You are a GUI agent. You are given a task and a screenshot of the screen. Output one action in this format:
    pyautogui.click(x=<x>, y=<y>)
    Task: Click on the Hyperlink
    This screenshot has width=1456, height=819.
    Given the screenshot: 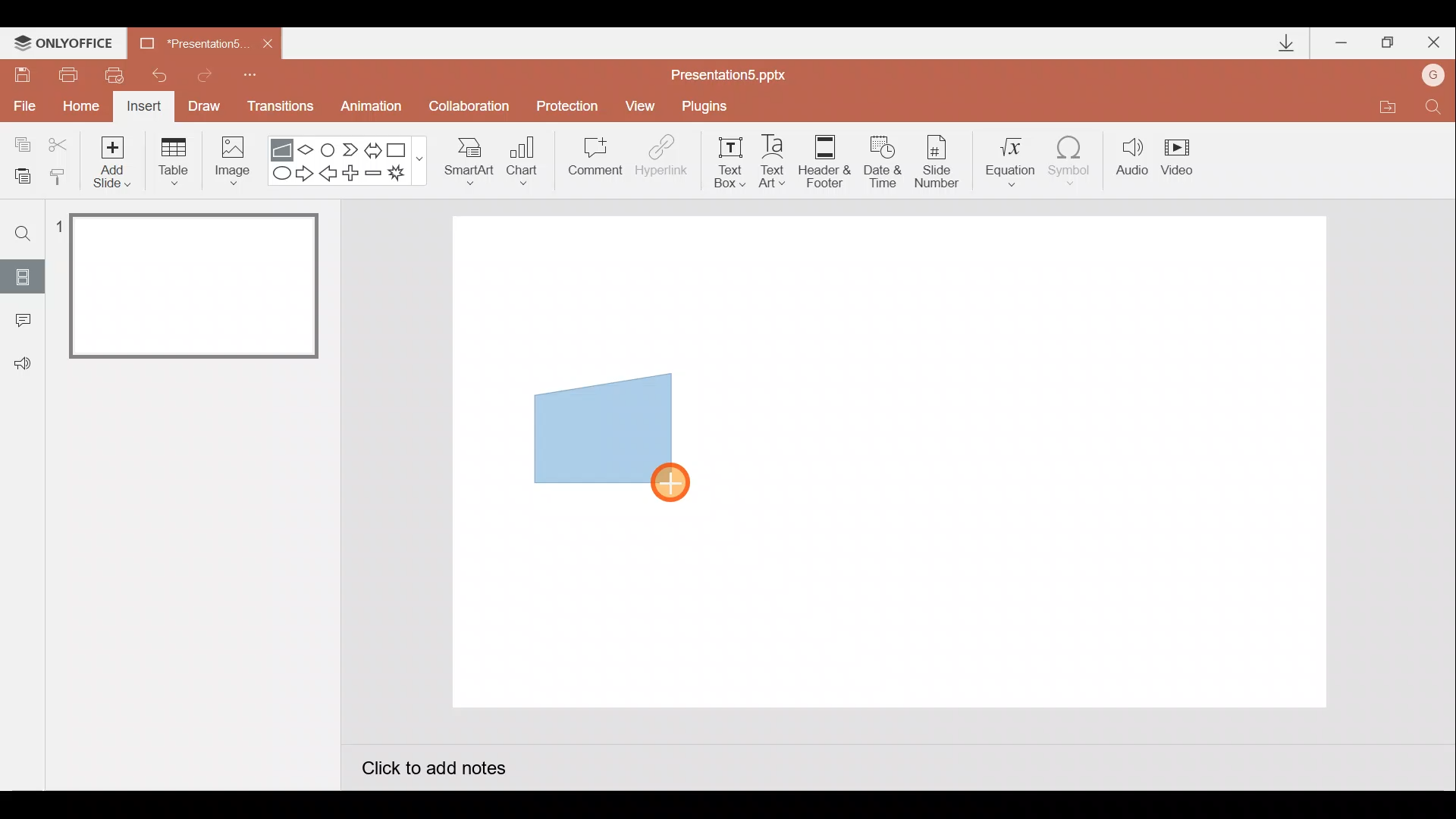 What is the action you would take?
    pyautogui.click(x=663, y=161)
    